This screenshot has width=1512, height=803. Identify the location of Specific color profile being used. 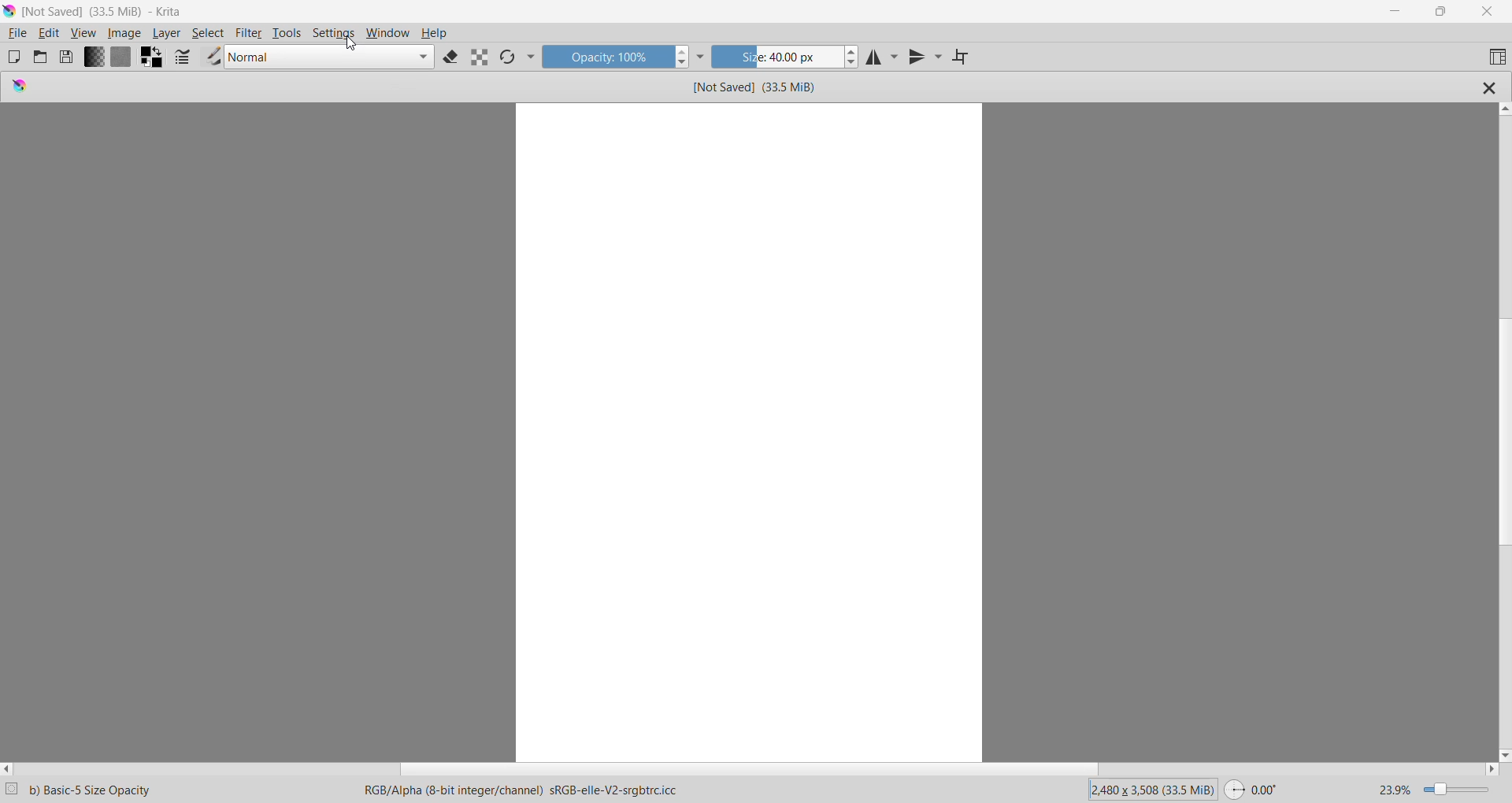
(618, 791).